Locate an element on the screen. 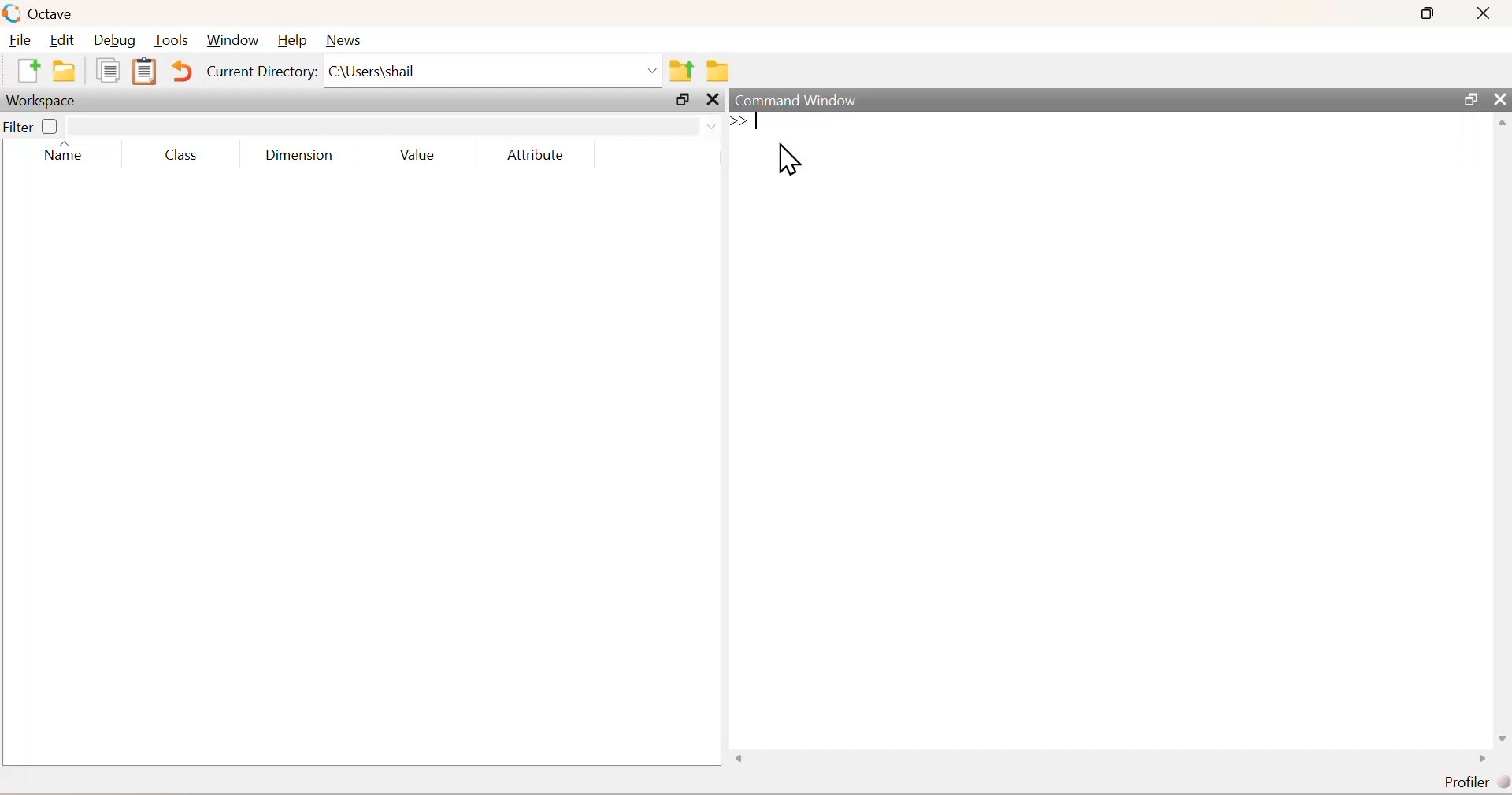  Attribute is located at coordinates (536, 154).